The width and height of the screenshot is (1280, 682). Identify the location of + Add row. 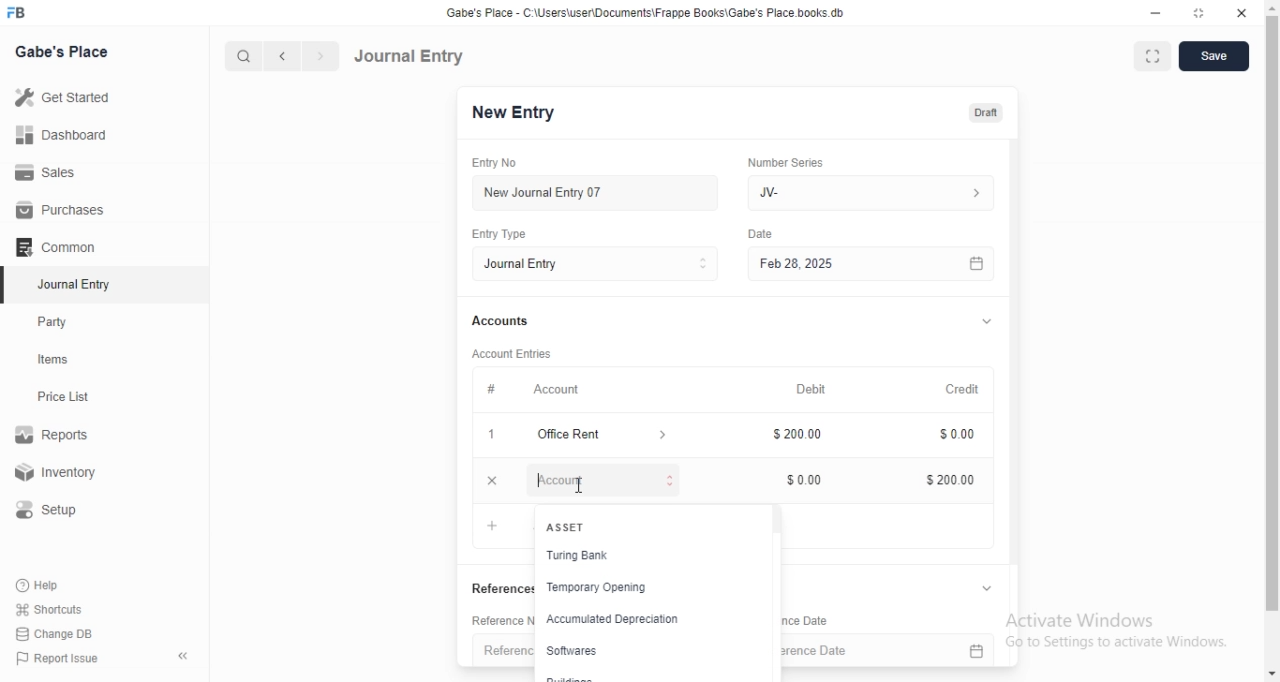
(499, 525).